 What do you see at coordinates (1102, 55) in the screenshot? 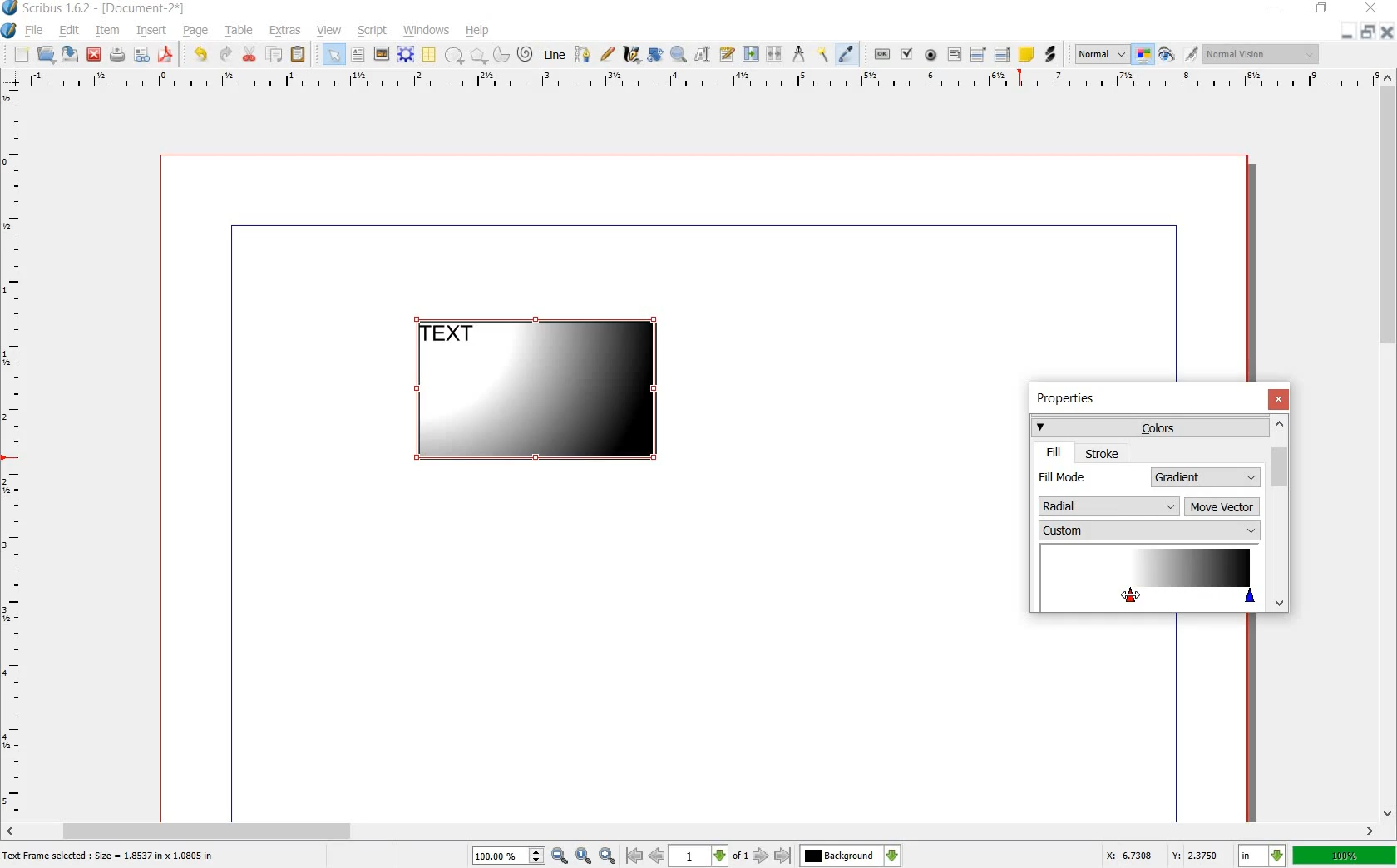
I see `normal` at bounding box center [1102, 55].